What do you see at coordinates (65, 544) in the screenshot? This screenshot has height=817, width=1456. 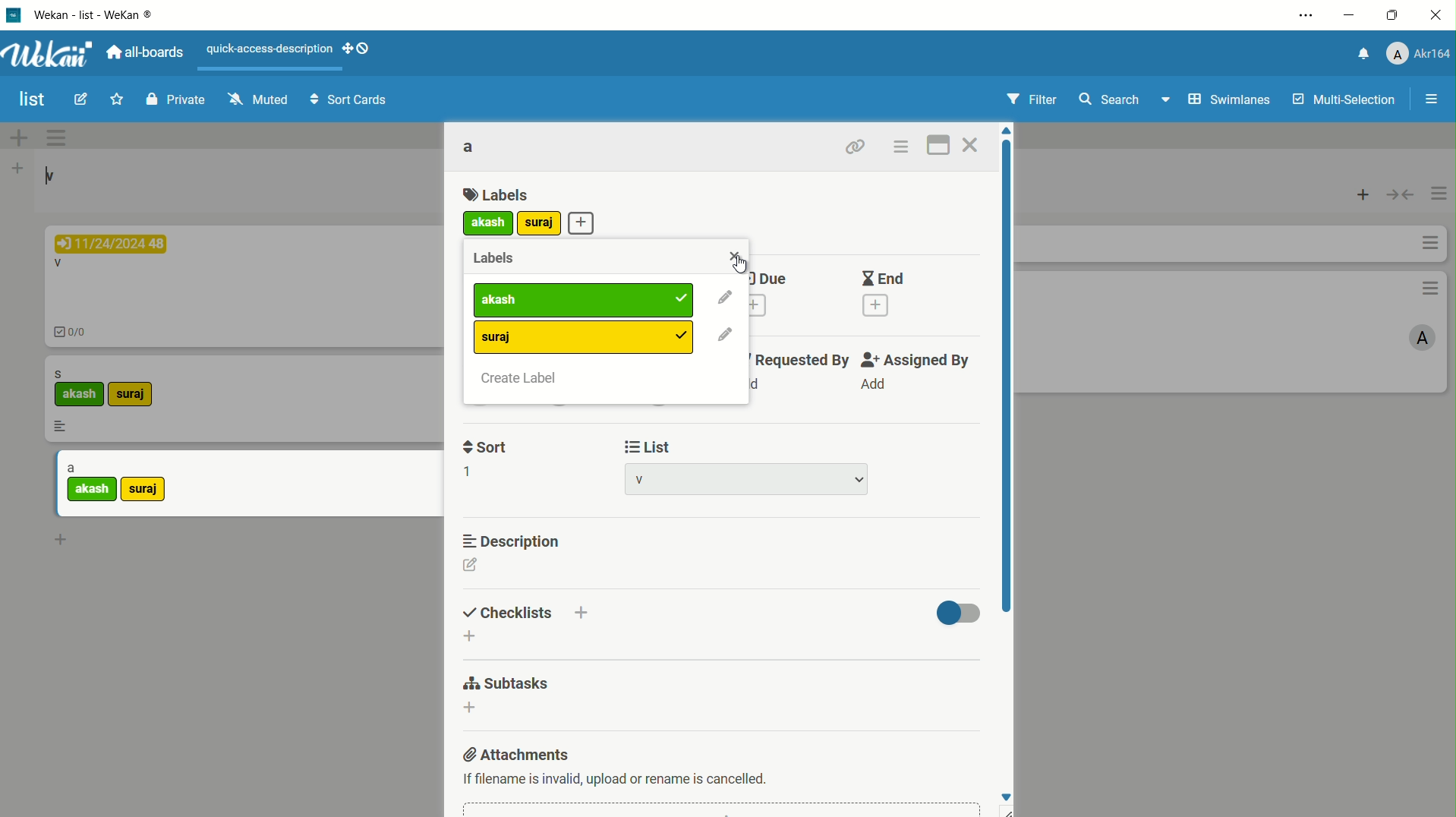 I see `add` at bounding box center [65, 544].